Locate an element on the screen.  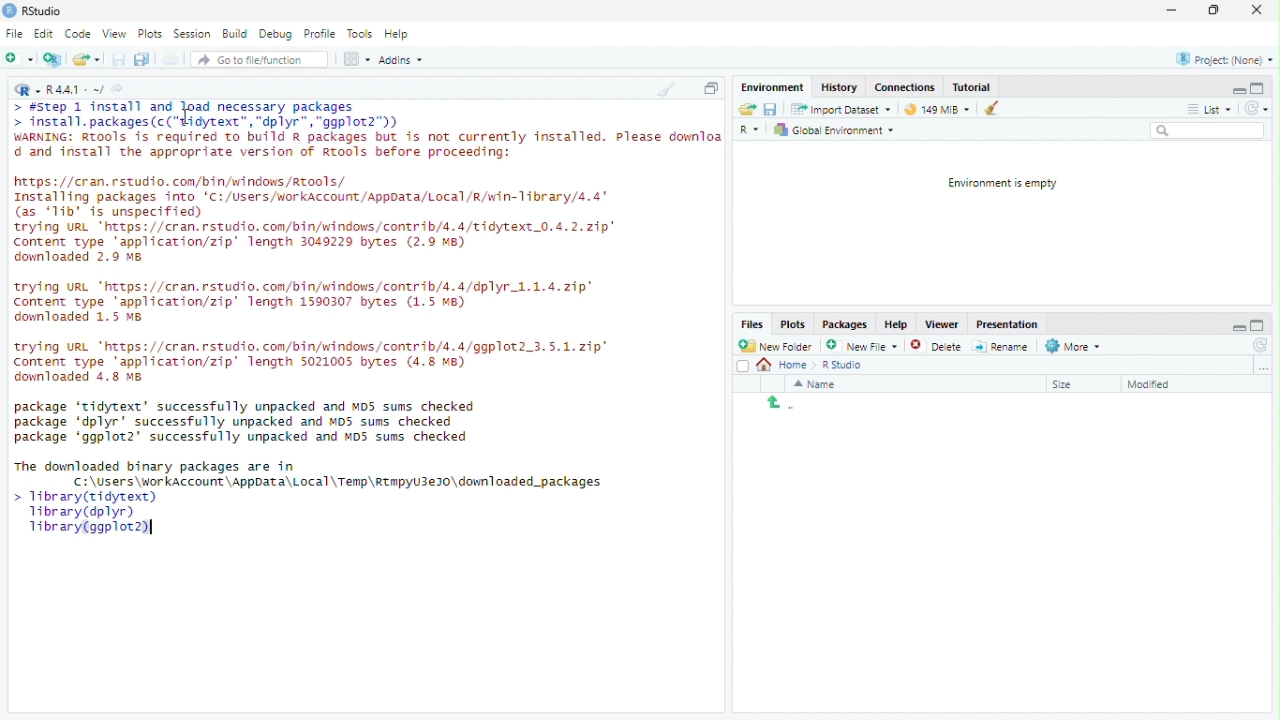
Modified is located at coordinates (1153, 385).